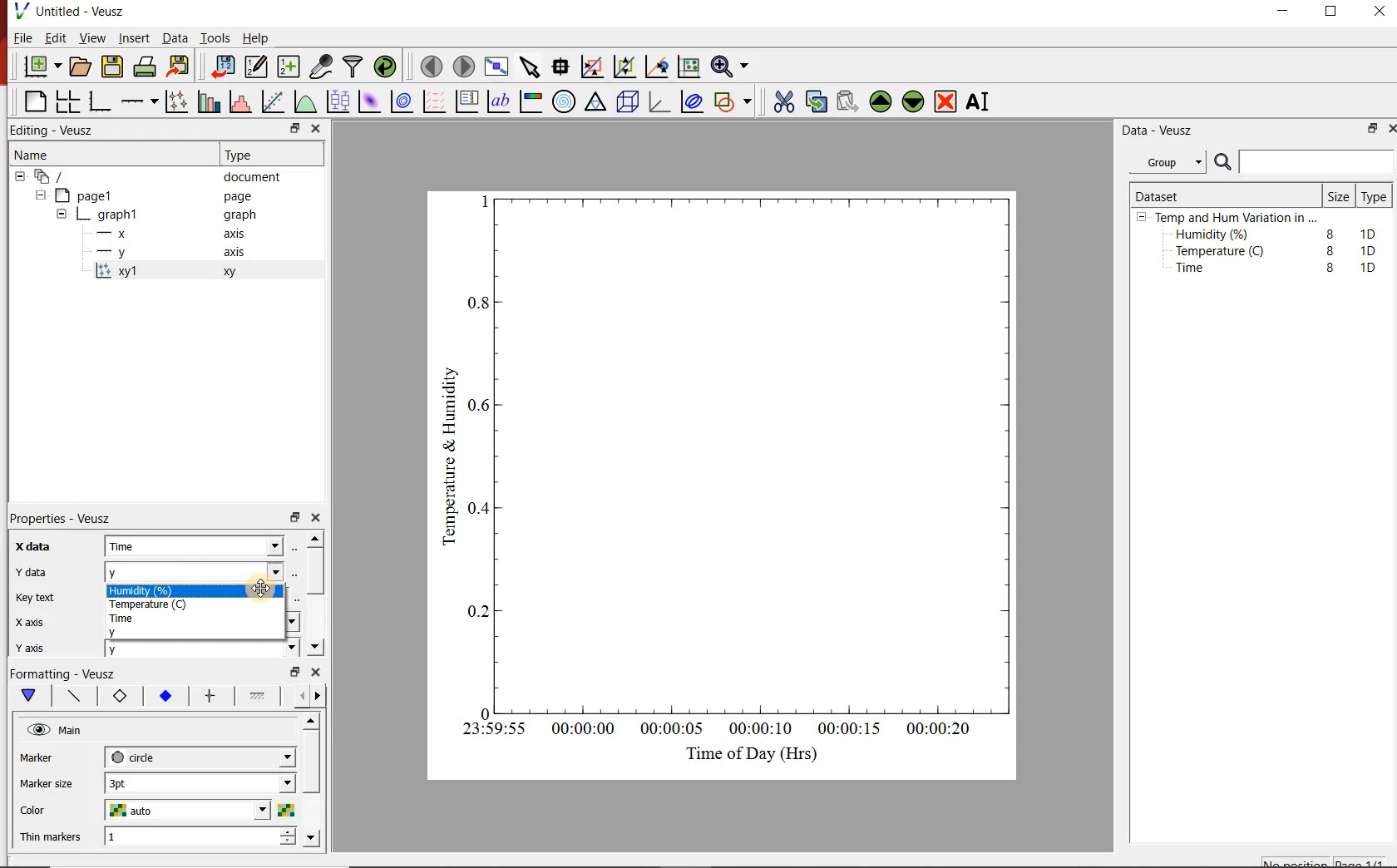 The height and width of the screenshot is (868, 1397). I want to click on 00:00:15, so click(850, 727).